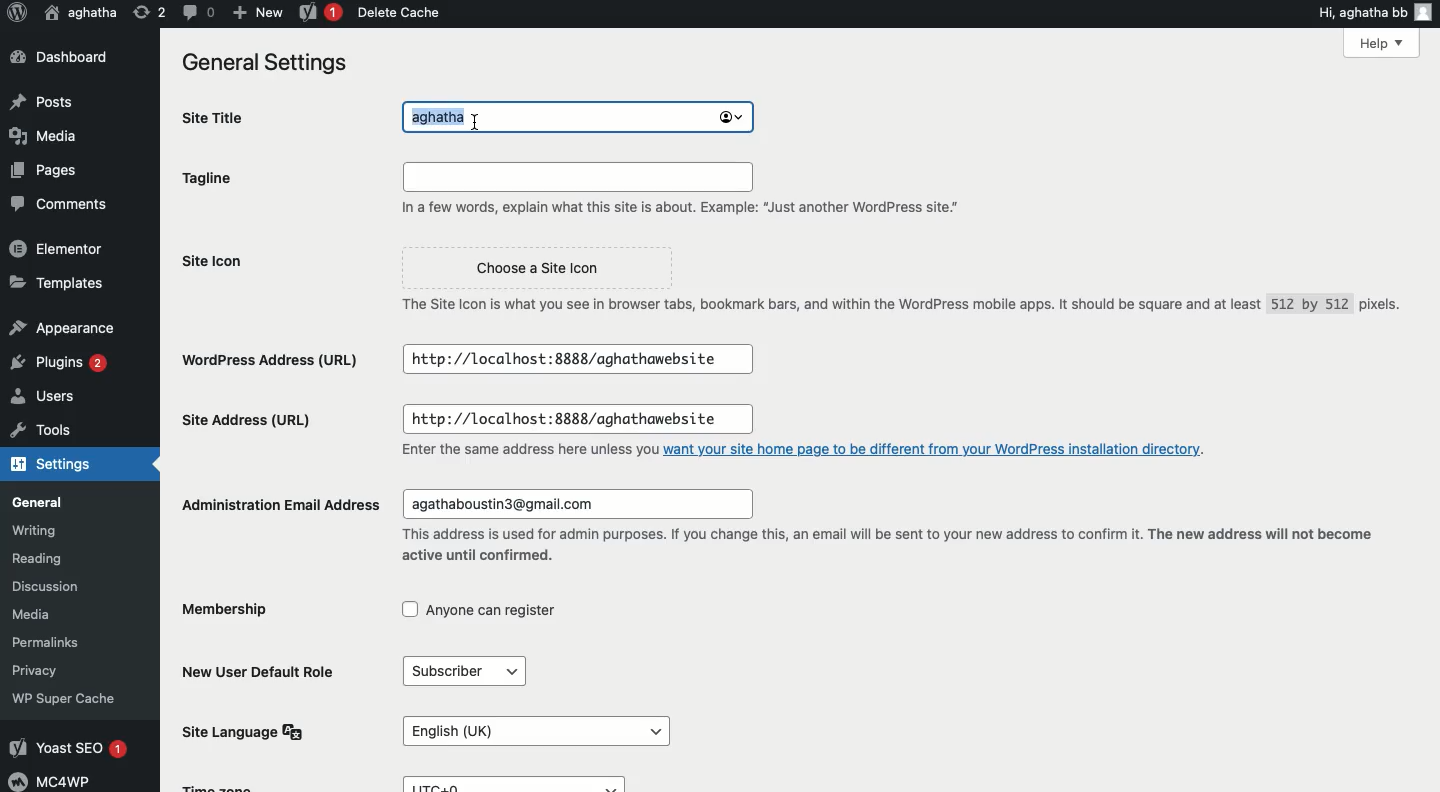 This screenshot has width=1440, height=792. What do you see at coordinates (59, 463) in the screenshot?
I see `Settings` at bounding box center [59, 463].